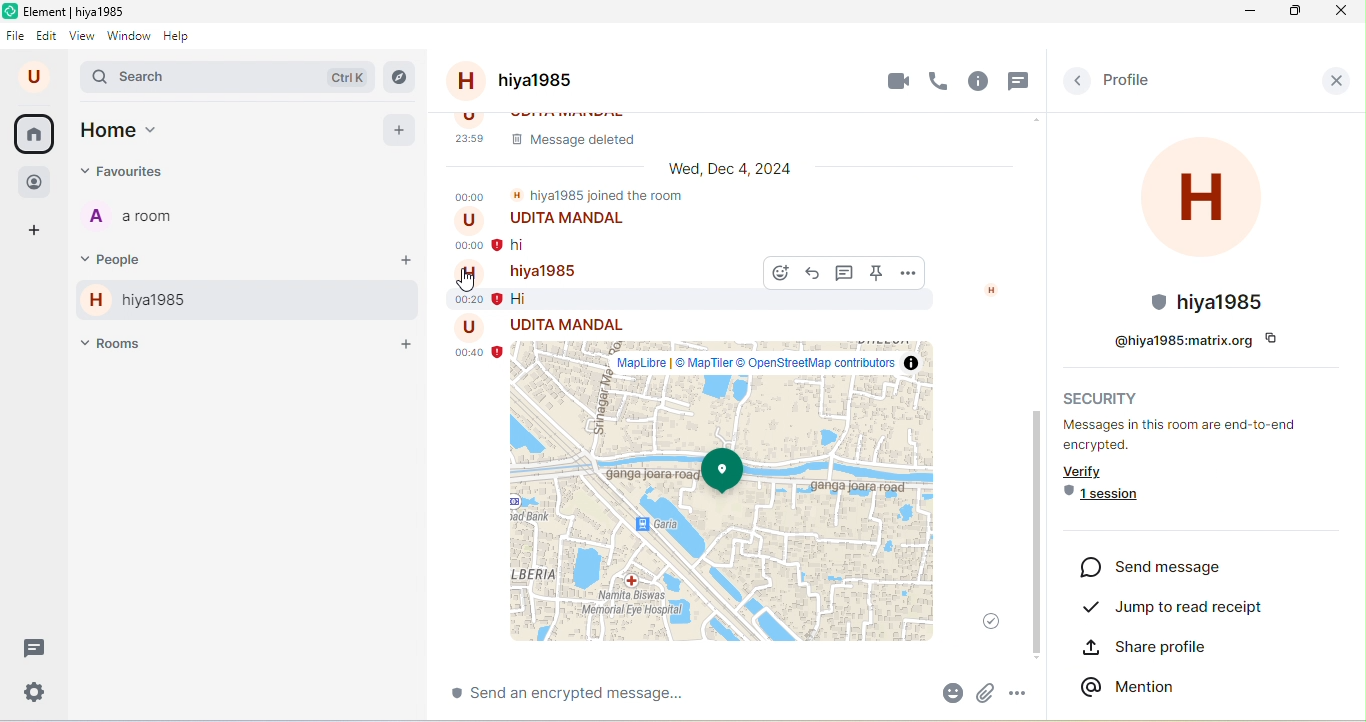 The image size is (1366, 722). What do you see at coordinates (1136, 83) in the screenshot?
I see `profile` at bounding box center [1136, 83].